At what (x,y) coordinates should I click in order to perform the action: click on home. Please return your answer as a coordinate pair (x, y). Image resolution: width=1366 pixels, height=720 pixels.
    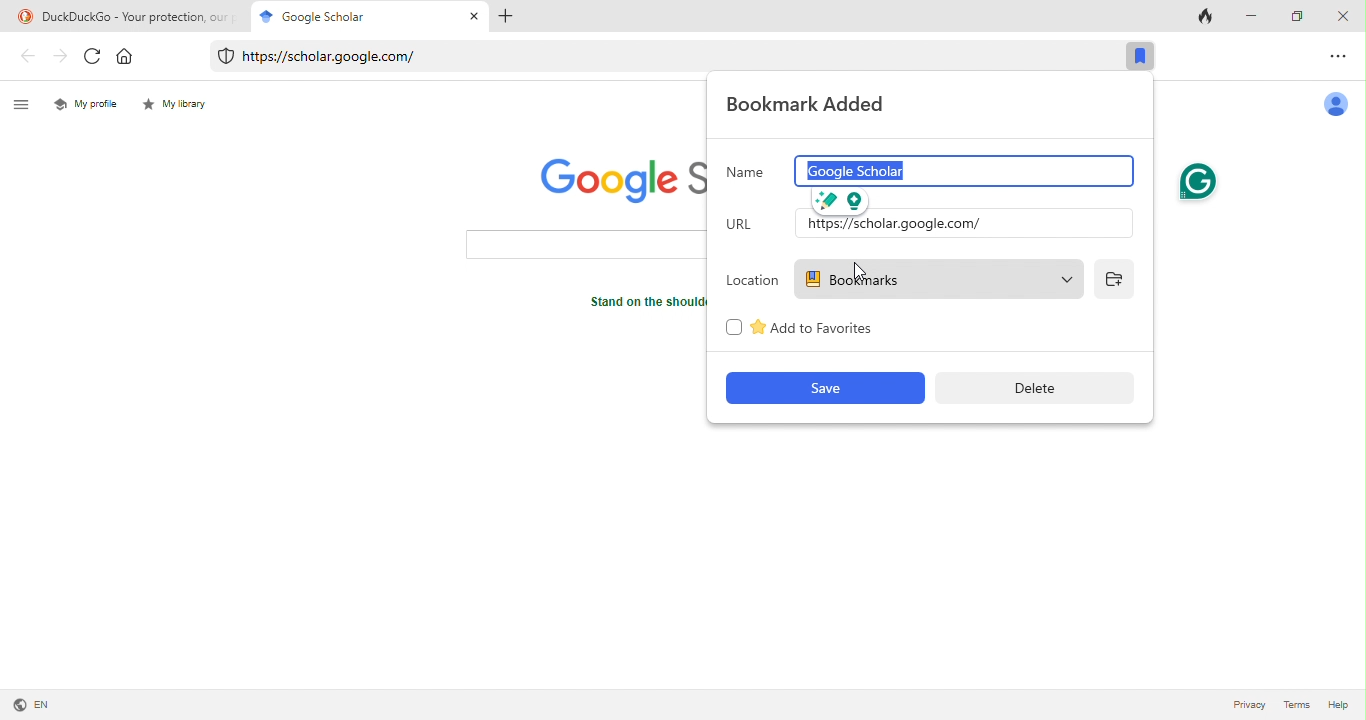
    Looking at the image, I should click on (133, 57).